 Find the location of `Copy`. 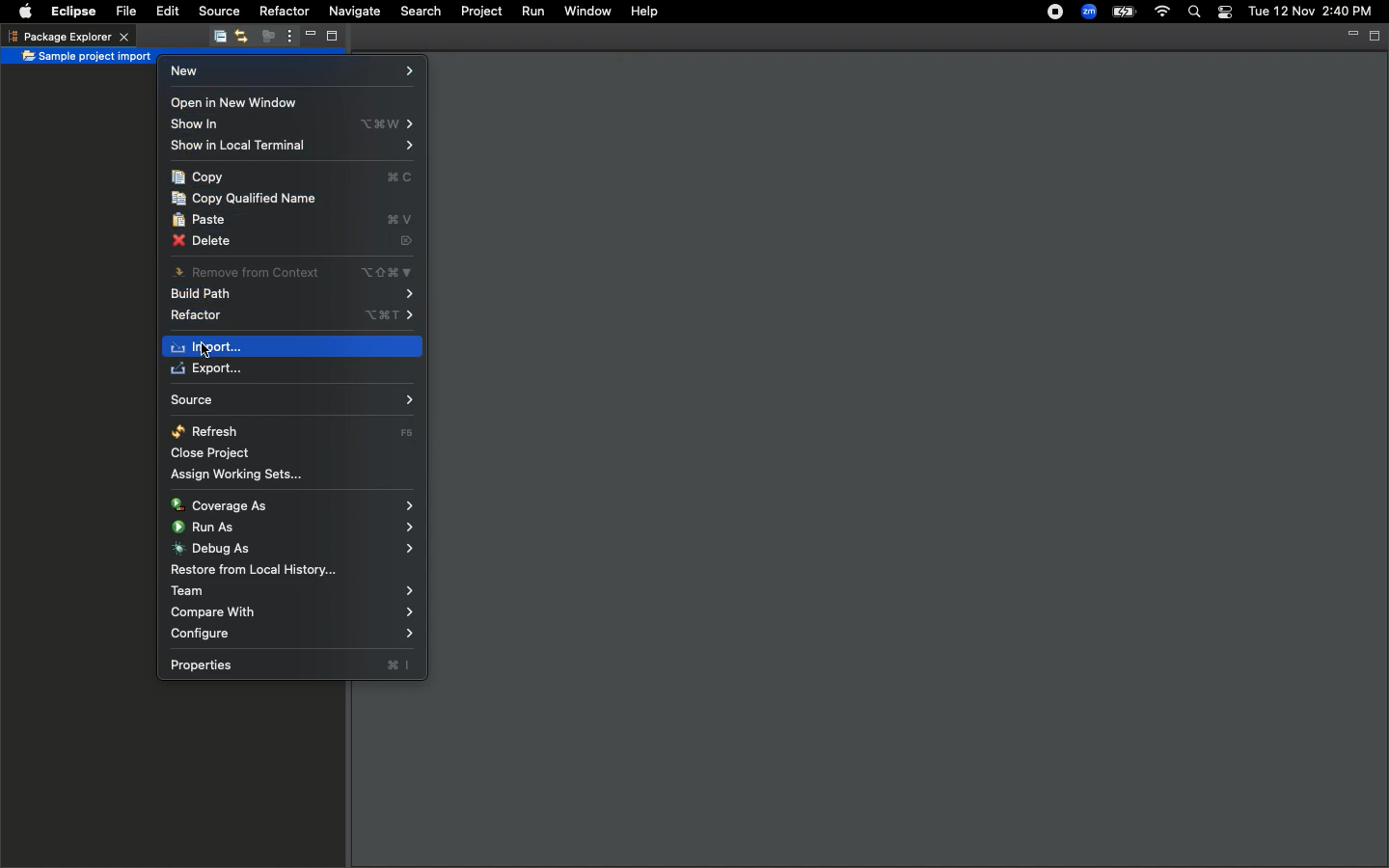

Copy is located at coordinates (292, 176).